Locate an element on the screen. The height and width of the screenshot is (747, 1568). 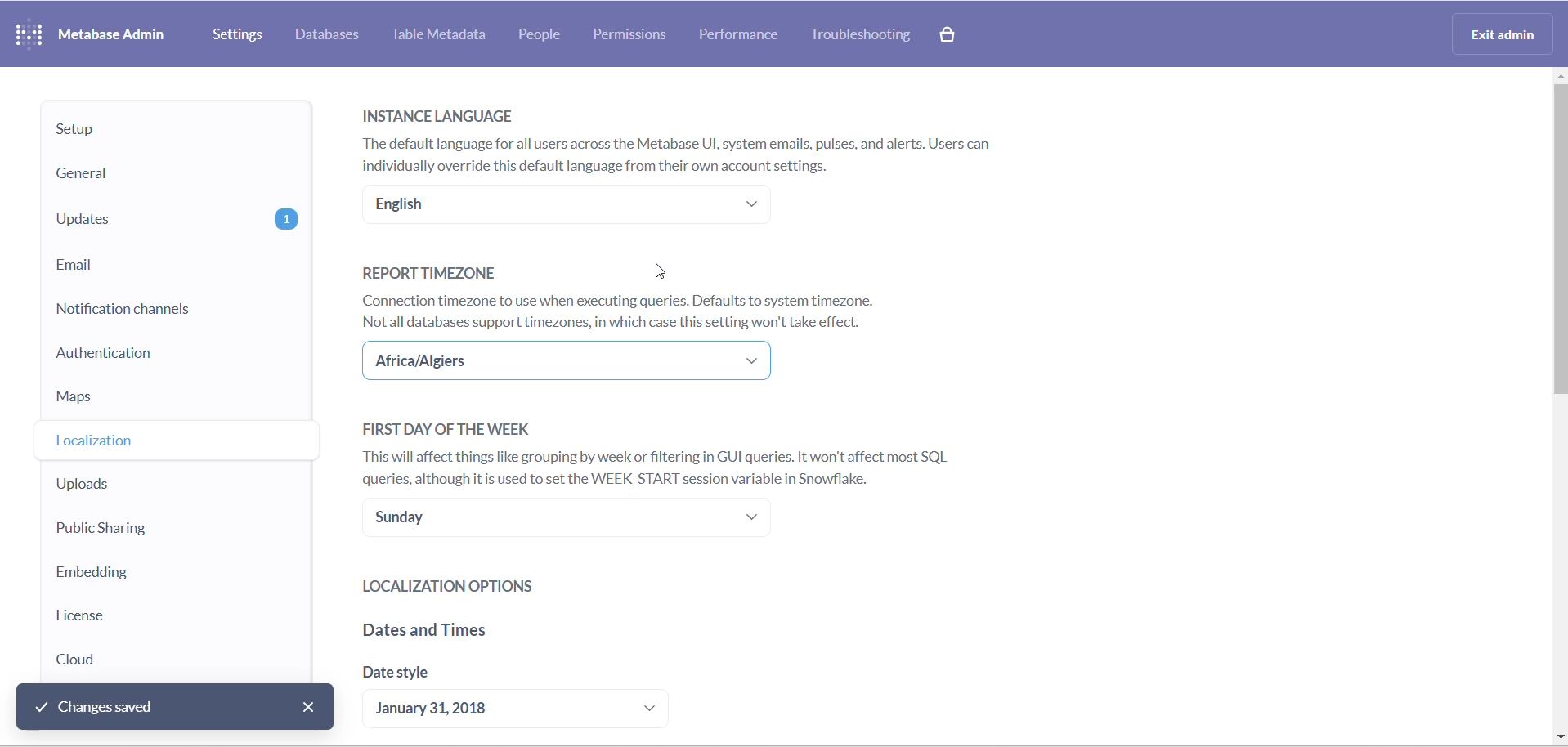
UPLOADS is located at coordinates (157, 486).